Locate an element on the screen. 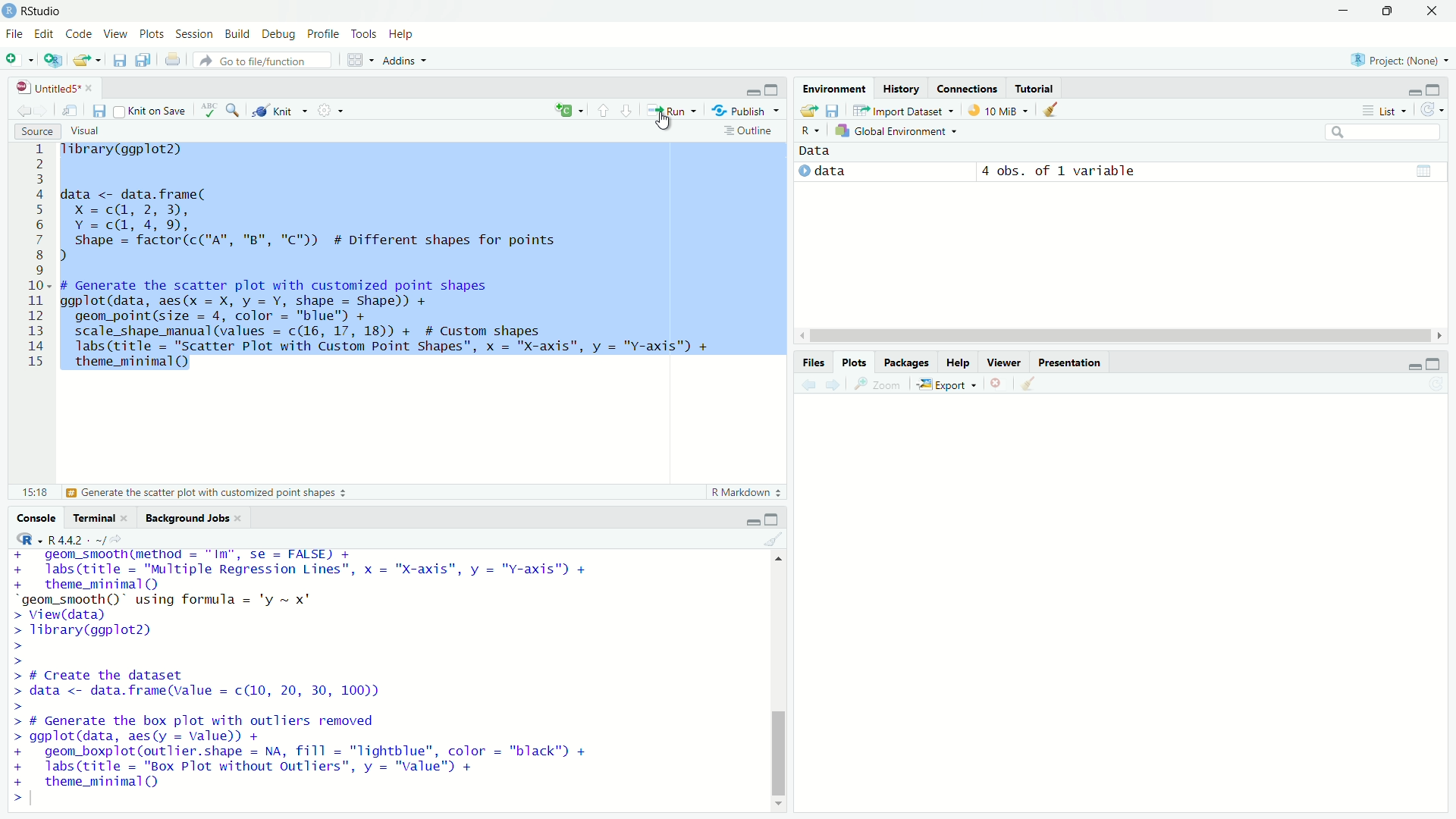  Zoom is located at coordinates (877, 384).